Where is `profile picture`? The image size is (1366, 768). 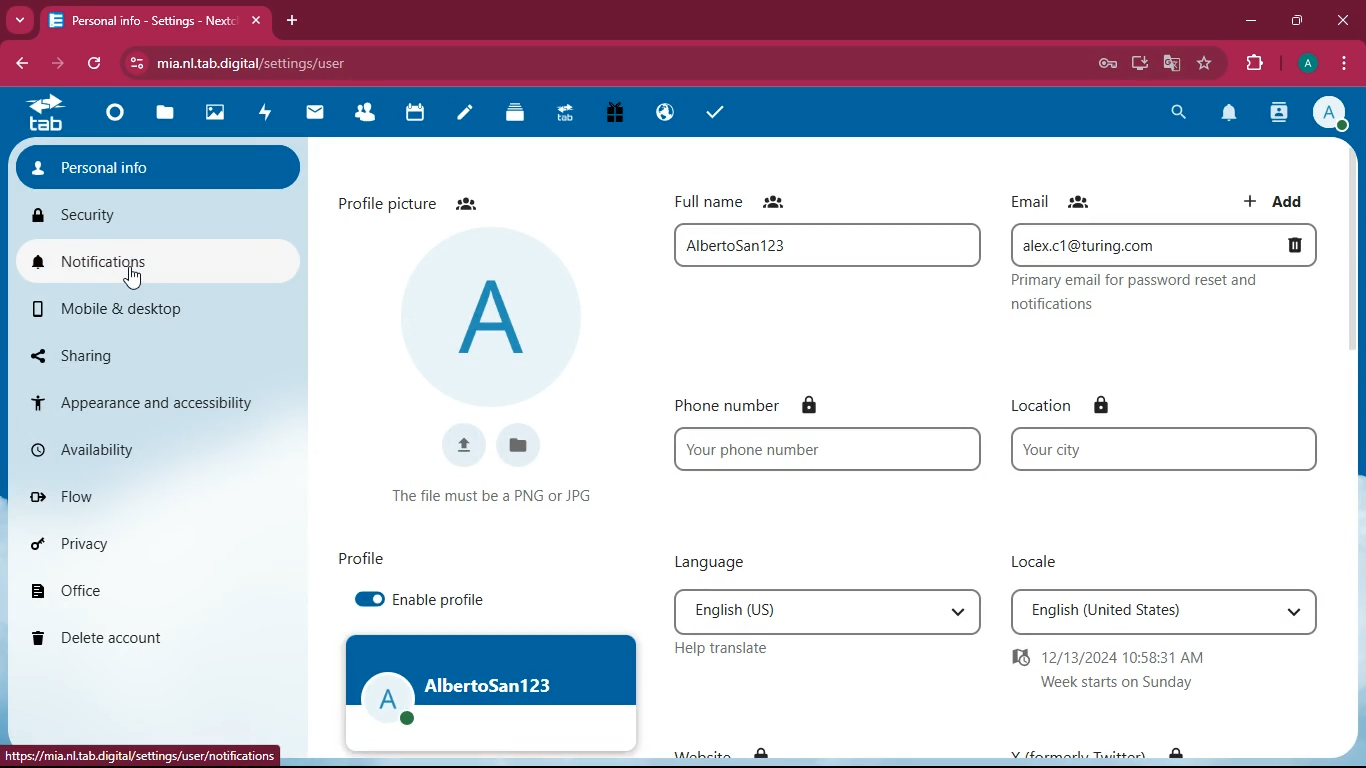
profile picture is located at coordinates (384, 203).